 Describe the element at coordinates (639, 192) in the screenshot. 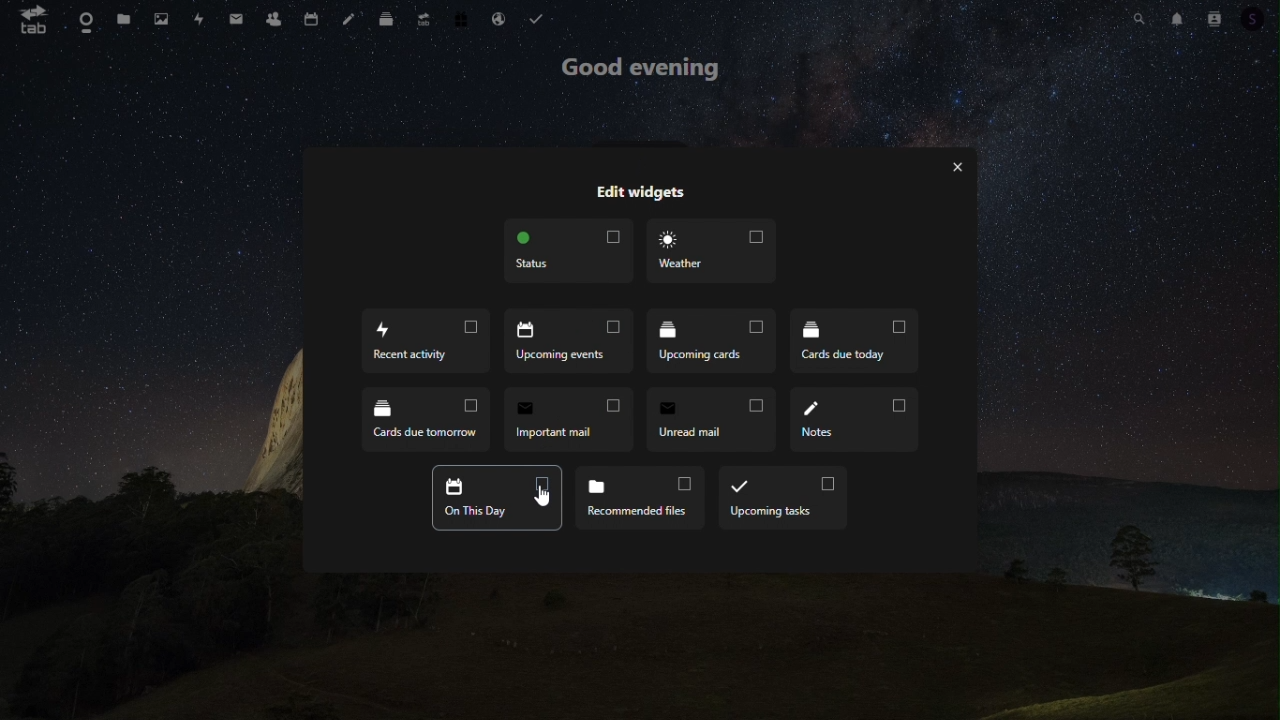

I see `Edit widgets` at that location.